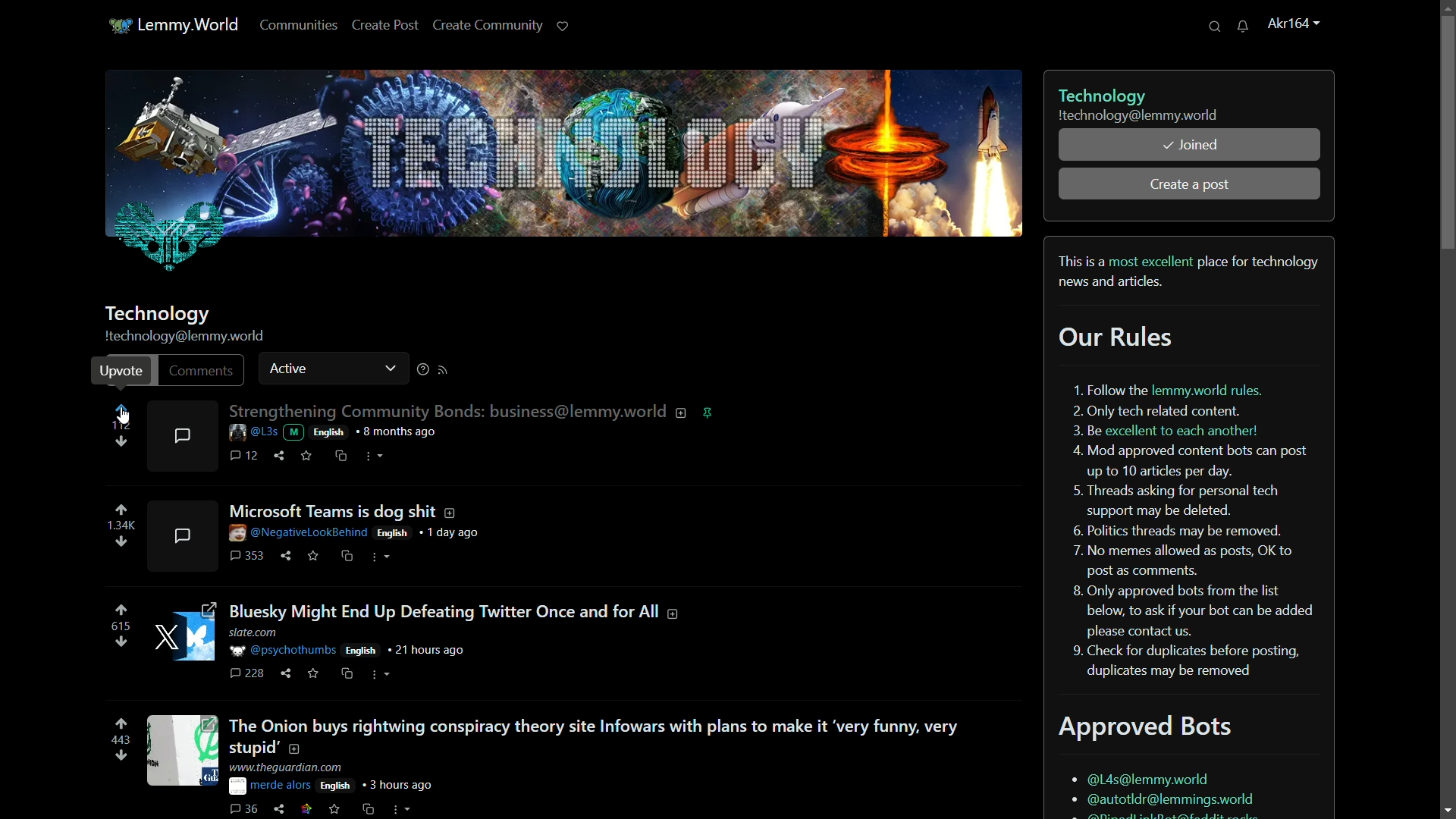  I want to click on share, so click(281, 455).